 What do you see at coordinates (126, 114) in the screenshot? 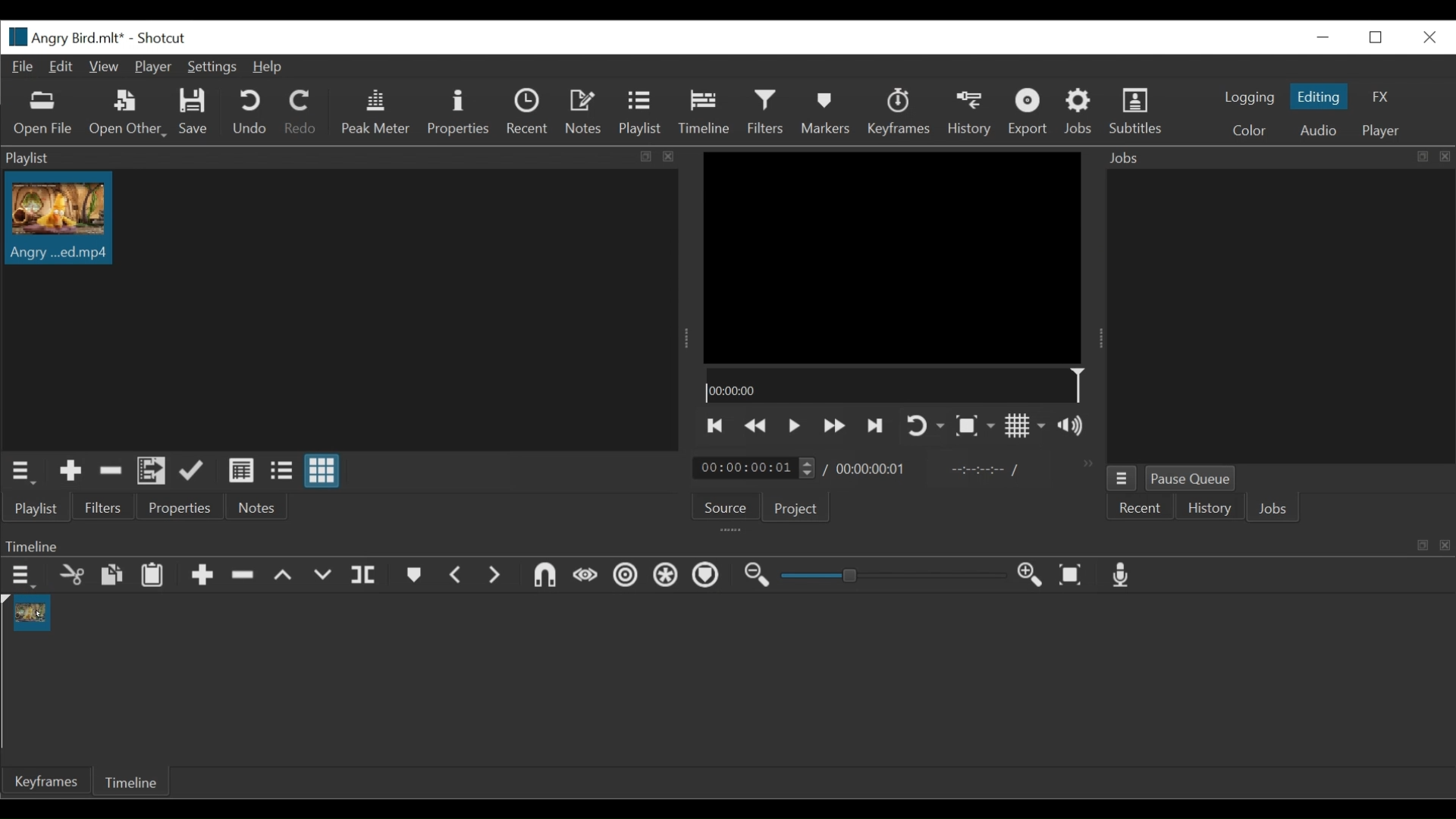
I see `Open Other` at bounding box center [126, 114].